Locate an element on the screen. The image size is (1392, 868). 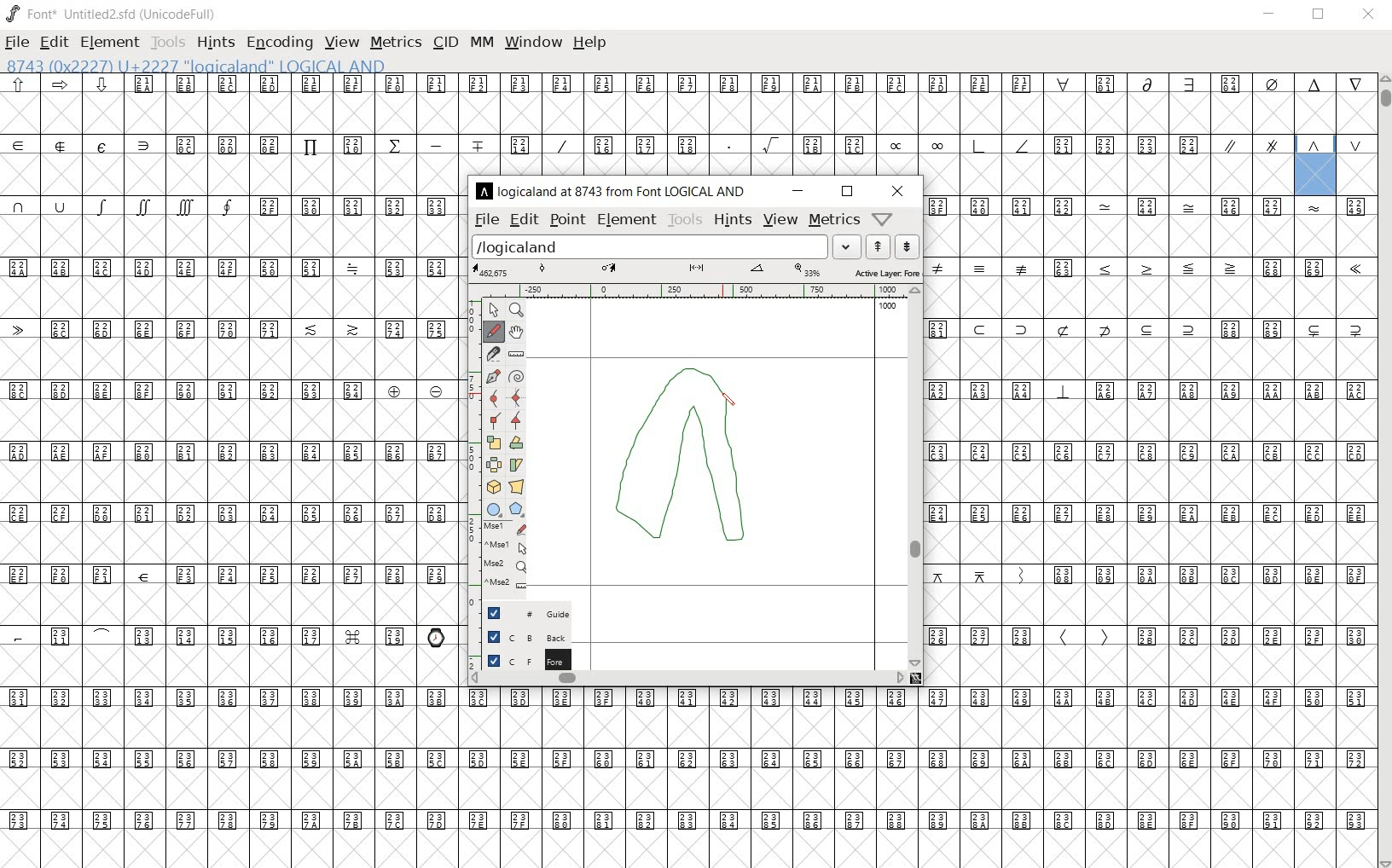
rectangle or ellipse is located at coordinates (492, 509).